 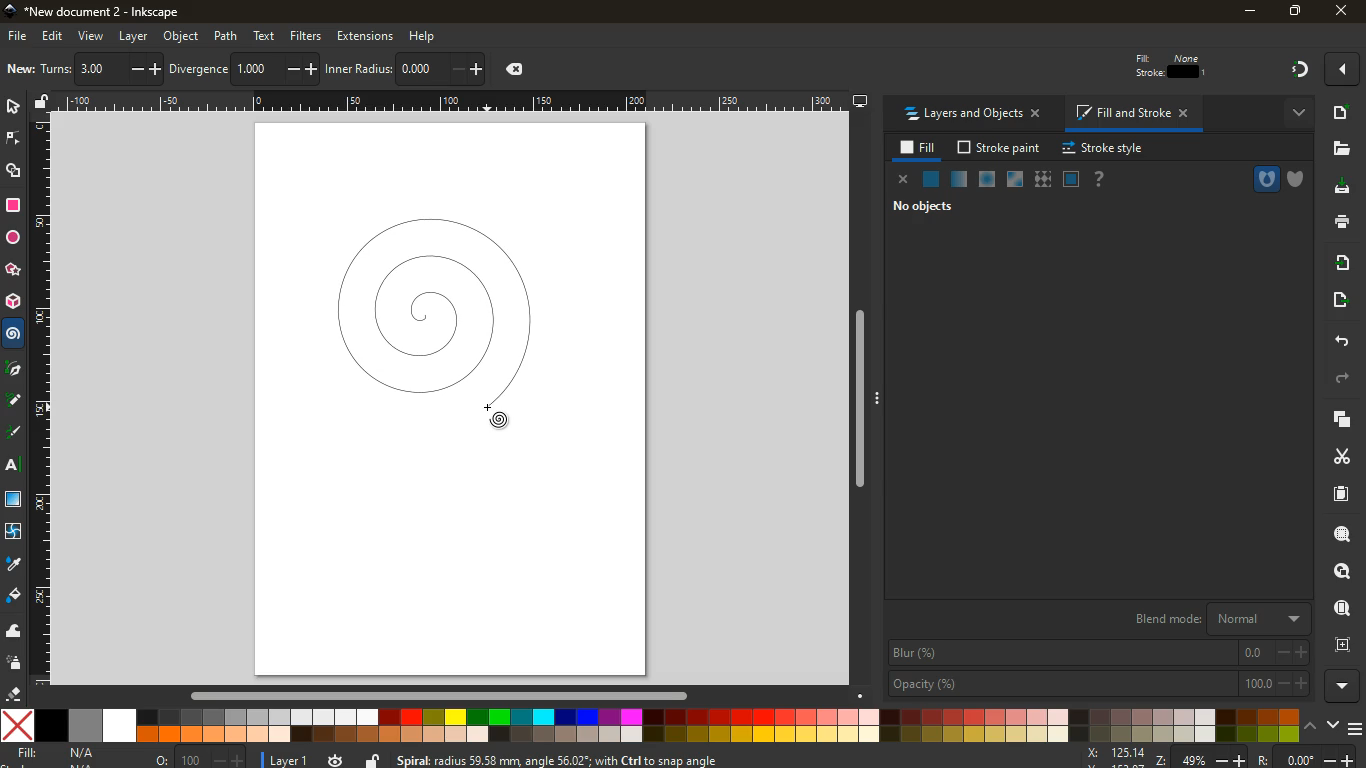 I want to click on more, so click(x=1294, y=115).